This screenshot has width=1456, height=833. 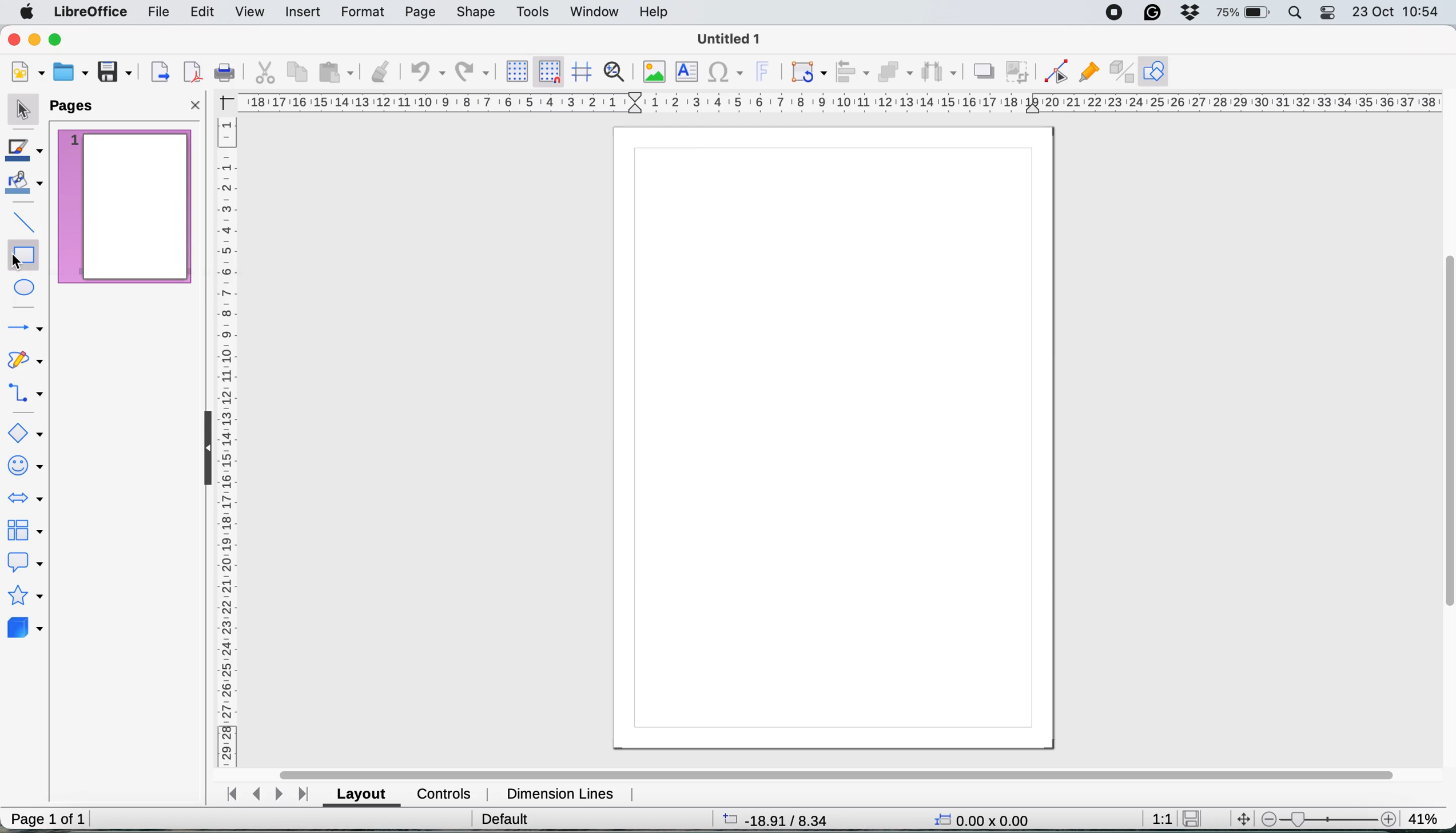 What do you see at coordinates (27, 363) in the screenshot?
I see `curves and polygons` at bounding box center [27, 363].